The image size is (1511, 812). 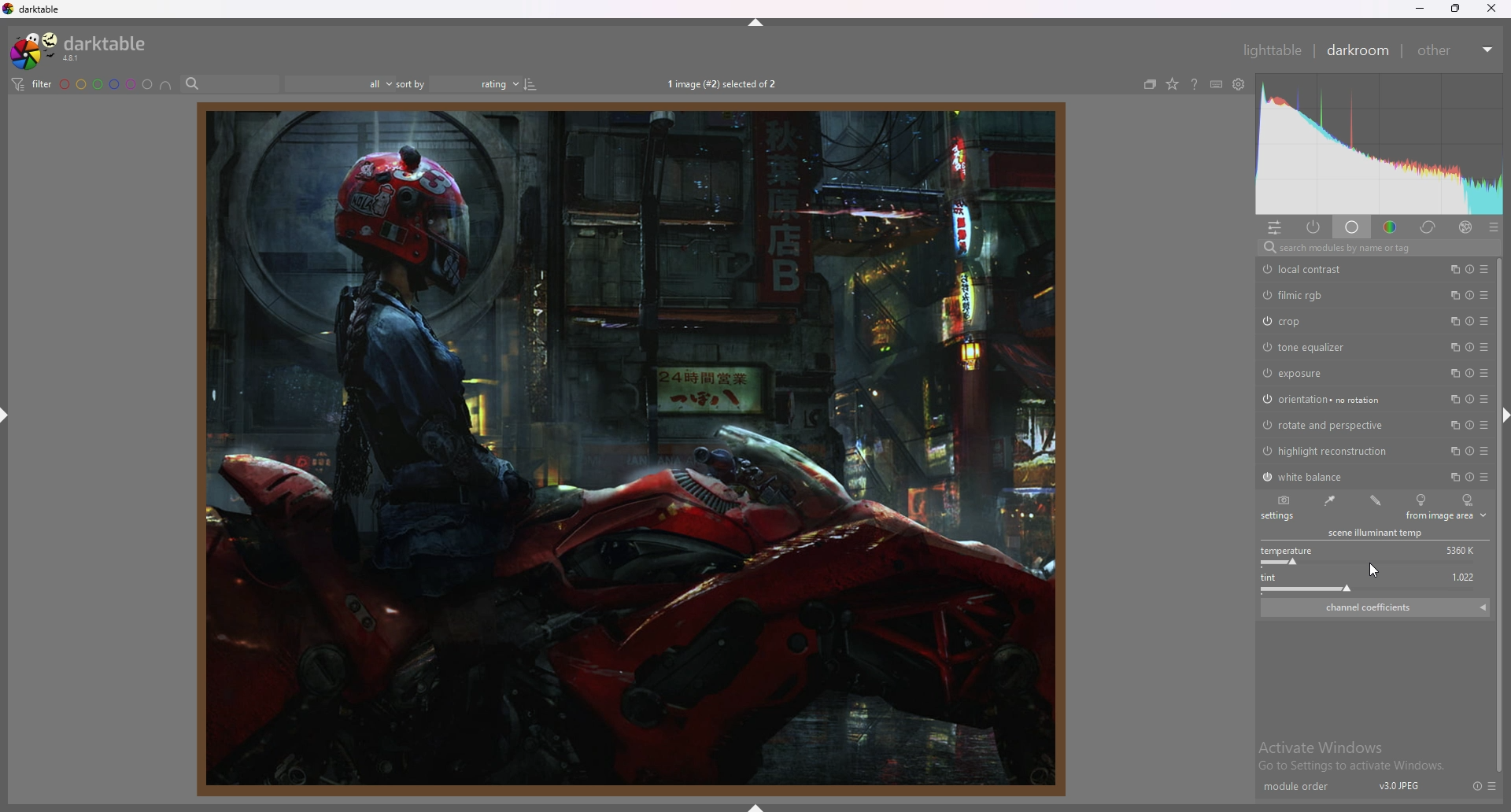 I want to click on hide, so click(x=780, y=806).